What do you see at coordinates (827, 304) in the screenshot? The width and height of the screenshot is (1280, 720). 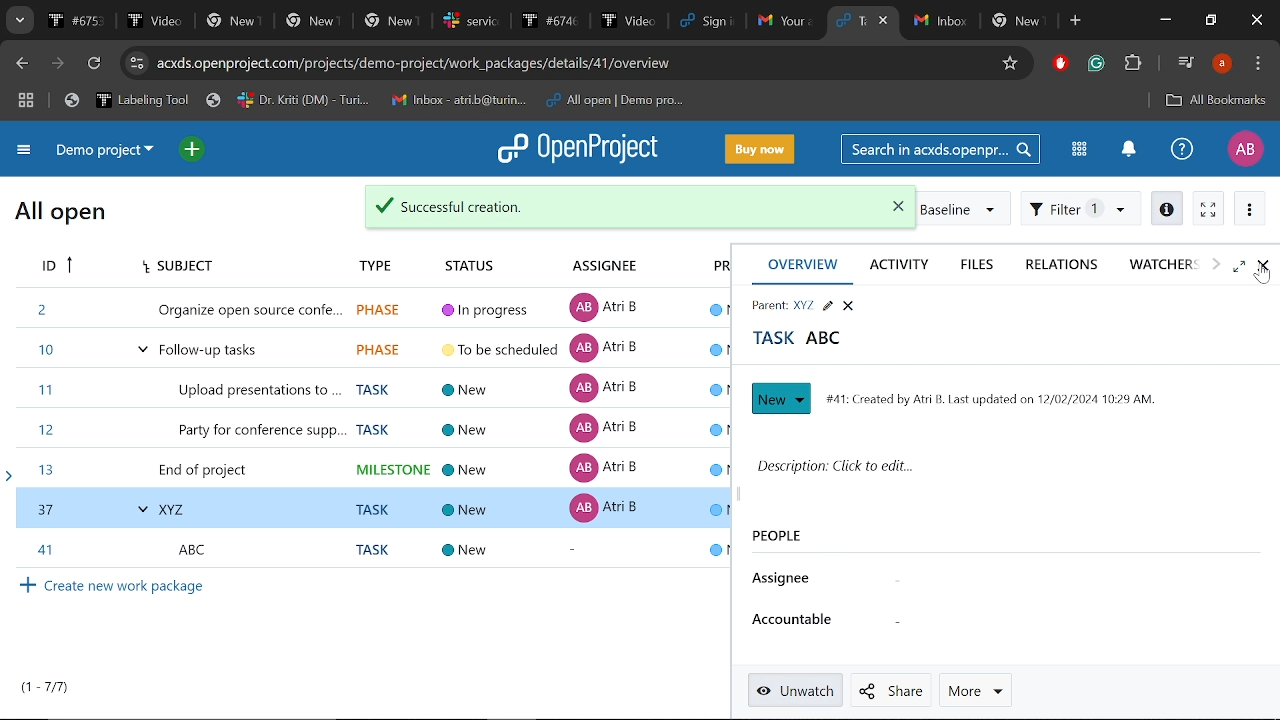 I see `Edit` at bounding box center [827, 304].